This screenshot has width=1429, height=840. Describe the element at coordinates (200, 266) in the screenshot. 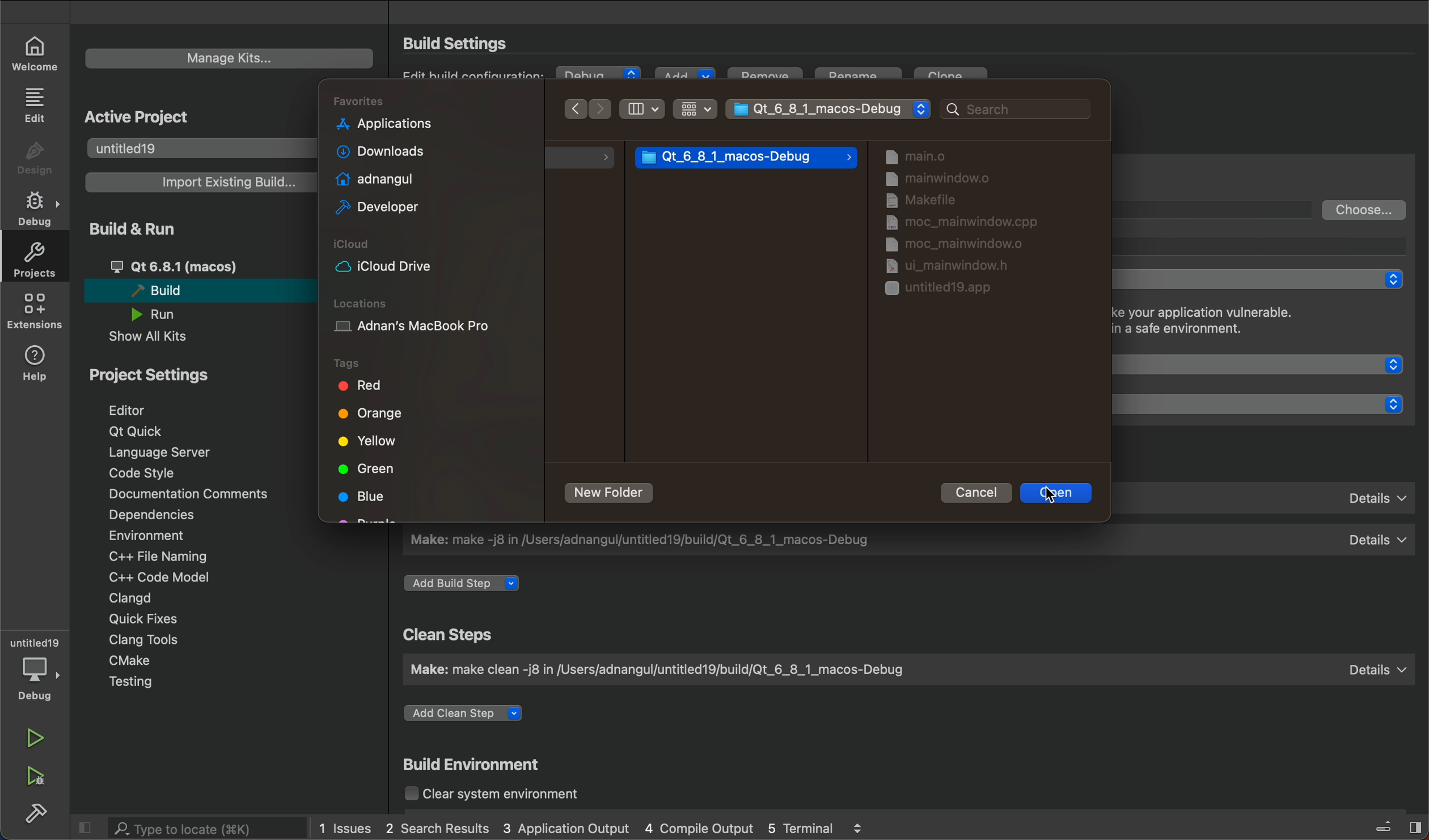

I see `qt` at that location.